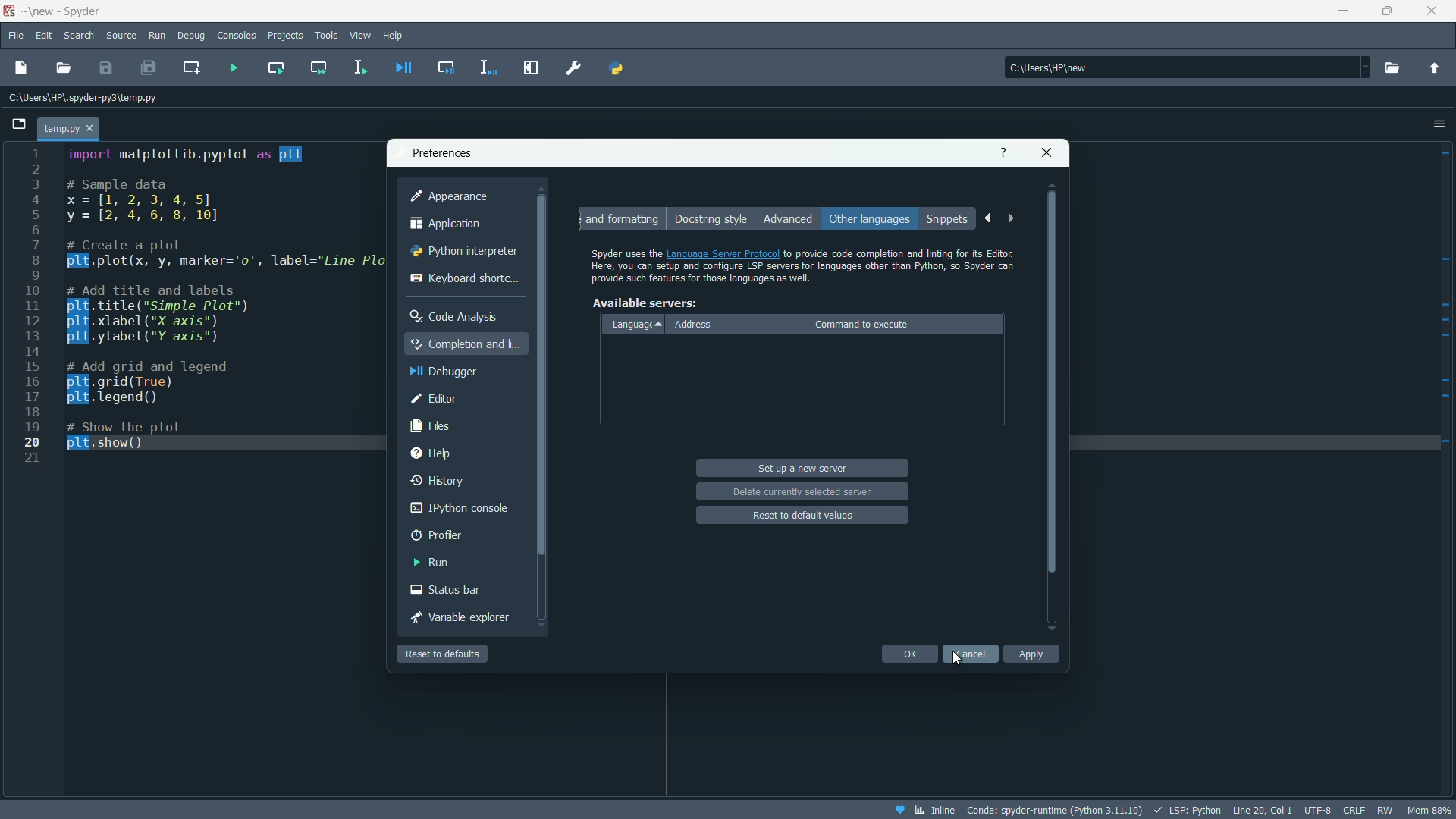  I want to click on run current cell and go to the next one, so click(319, 67).